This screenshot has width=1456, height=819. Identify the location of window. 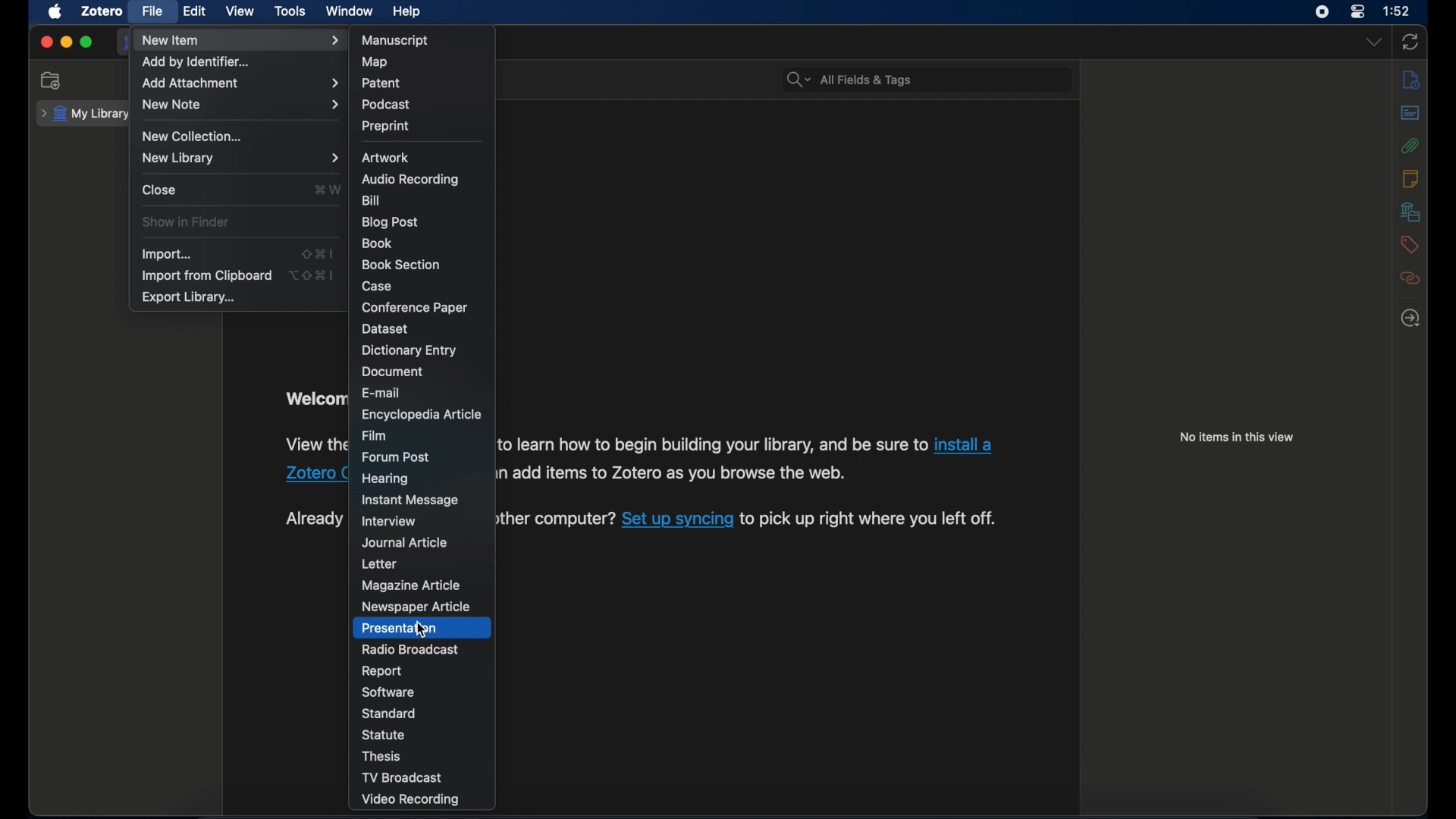
(350, 11).